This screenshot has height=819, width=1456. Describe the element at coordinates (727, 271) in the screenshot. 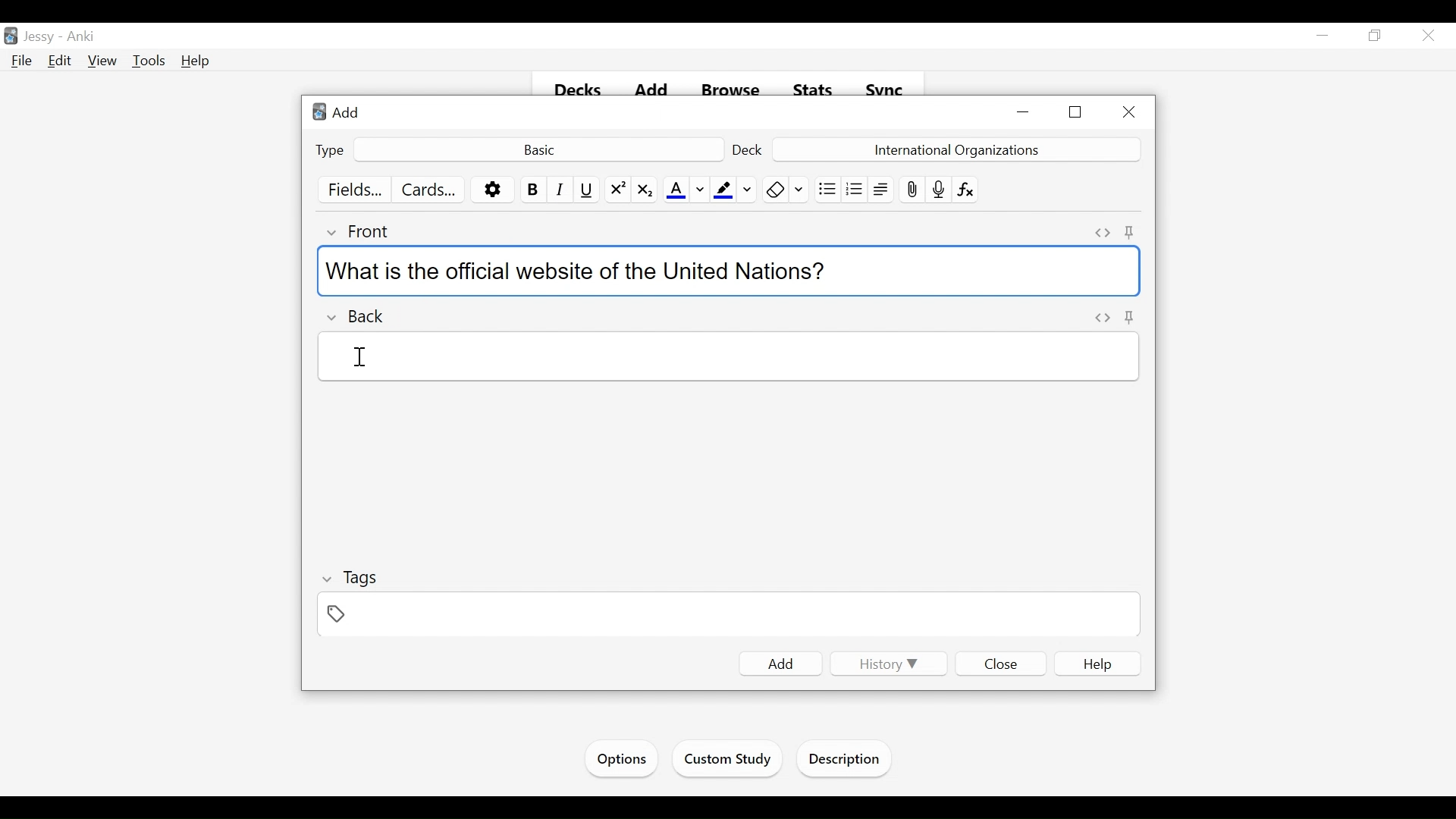

I see `What is the official website of the United Nations?` at that location.